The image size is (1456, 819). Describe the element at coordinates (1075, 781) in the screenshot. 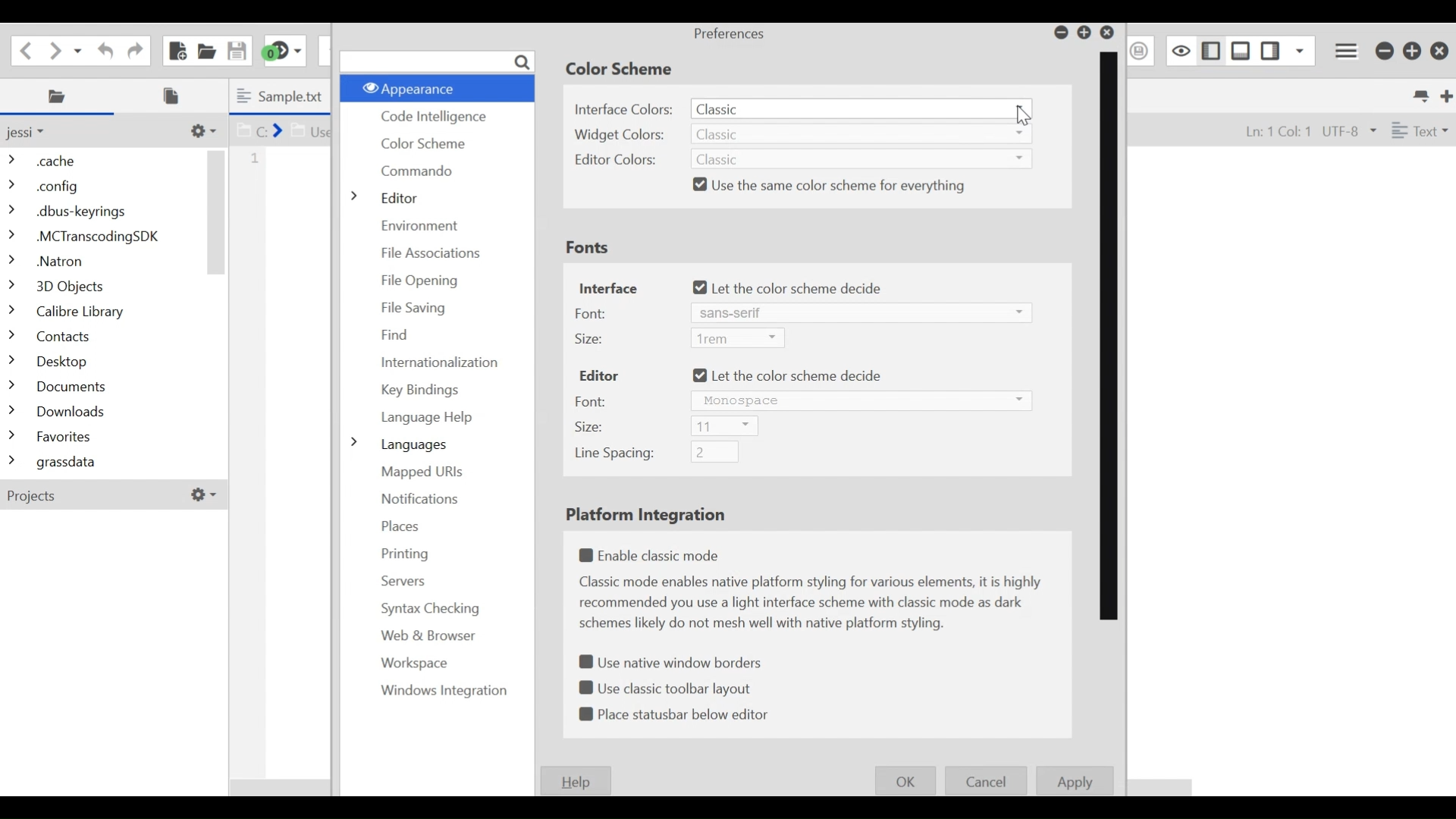

I see `Apply` at that location.